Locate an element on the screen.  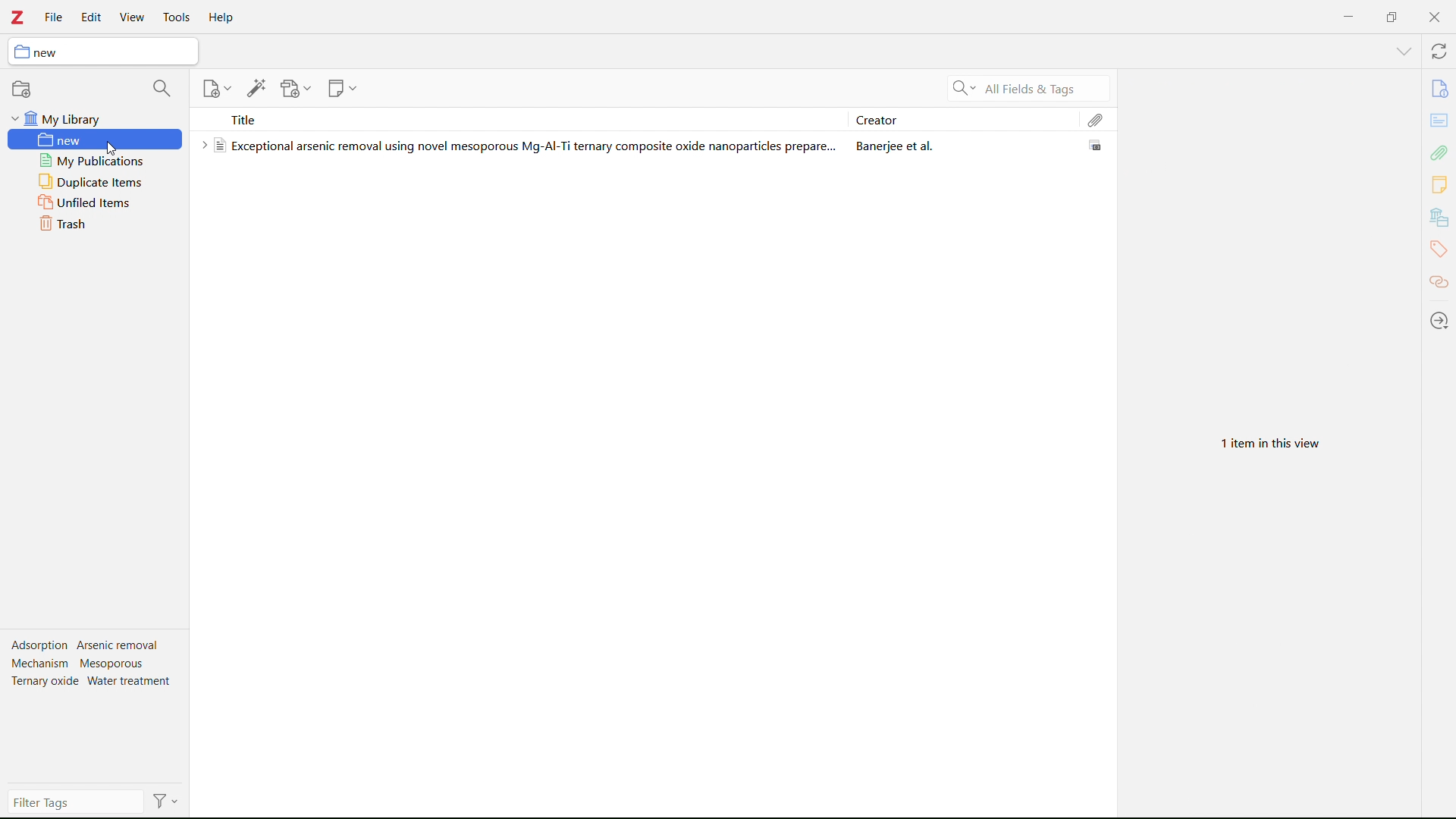
view is located at coordinates (132, 18).